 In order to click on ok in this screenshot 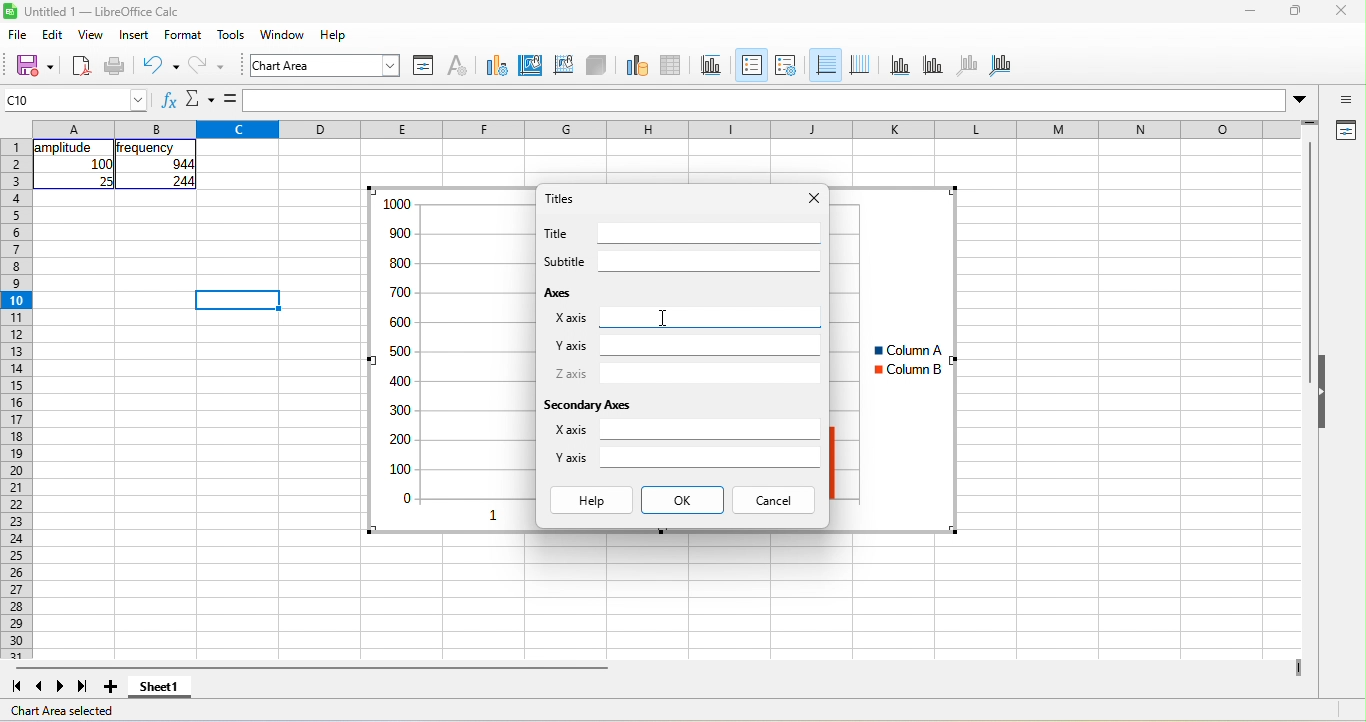, I will do `click(683, 500)`.